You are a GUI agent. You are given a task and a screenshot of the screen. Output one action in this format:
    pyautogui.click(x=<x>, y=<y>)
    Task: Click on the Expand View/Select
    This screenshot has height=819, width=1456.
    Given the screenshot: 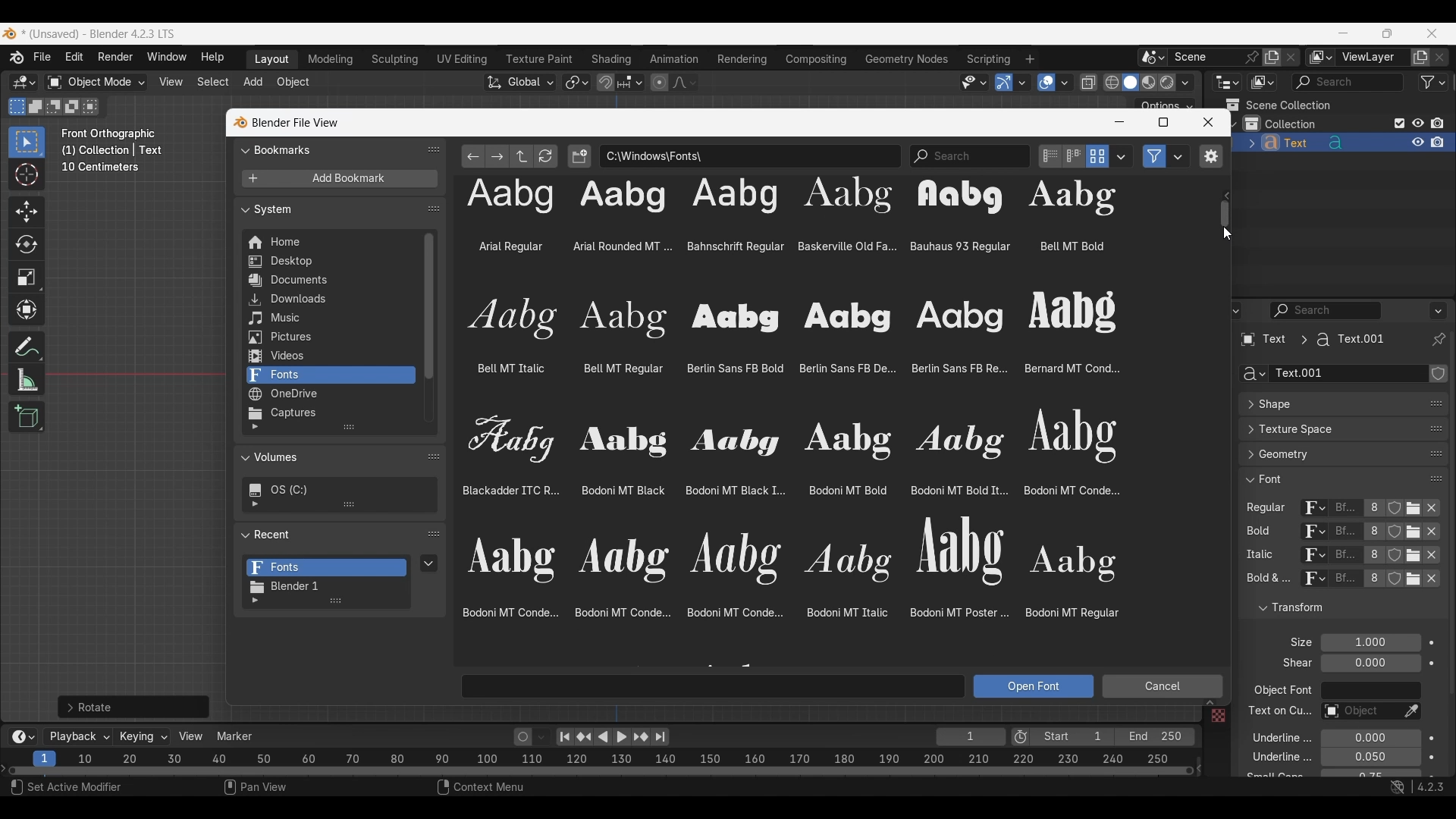 What is the action you would take?
    pyautogui.click(x=1210, y=703)
    